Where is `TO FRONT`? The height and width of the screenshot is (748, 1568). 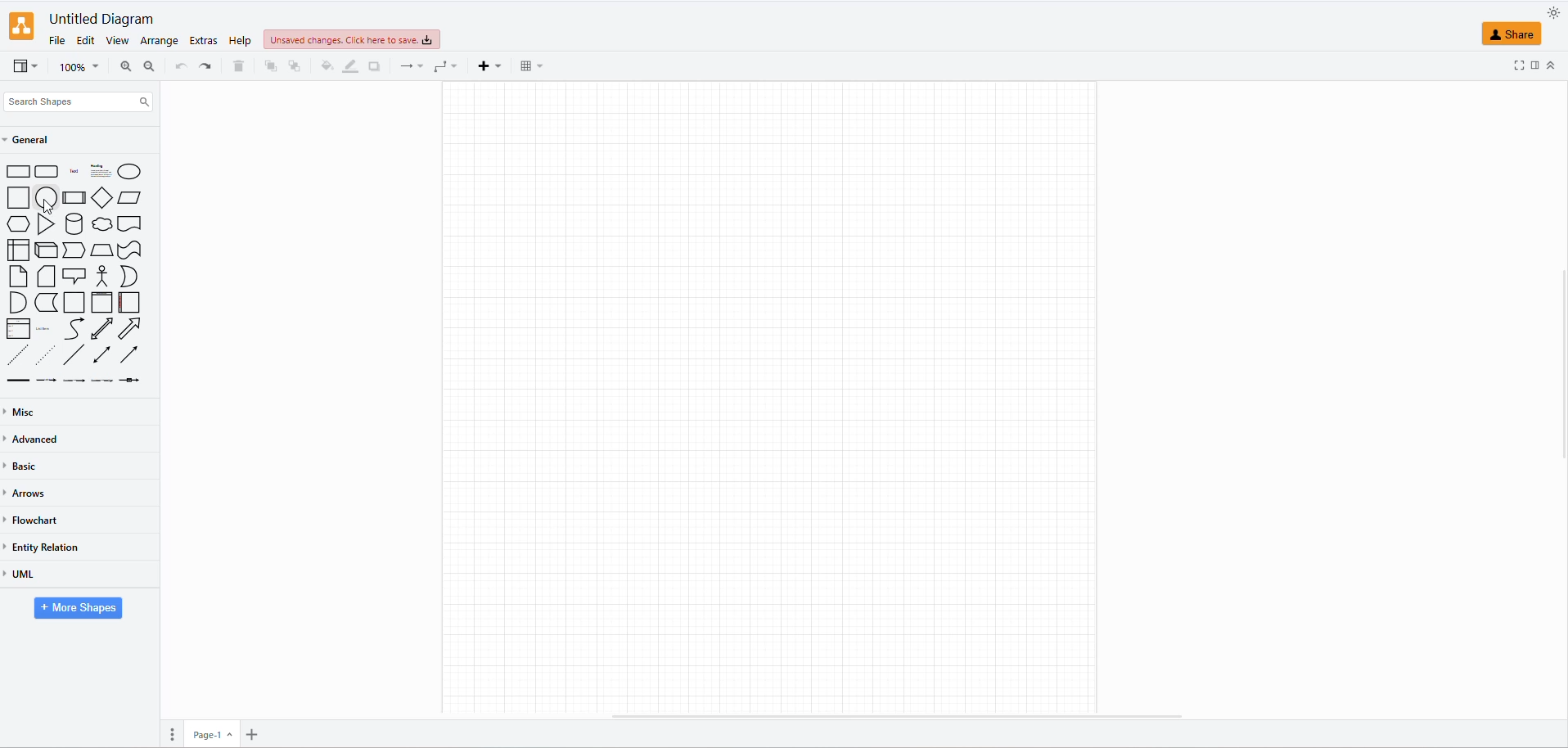 TO FRONT is located at coordinates (268, 66).